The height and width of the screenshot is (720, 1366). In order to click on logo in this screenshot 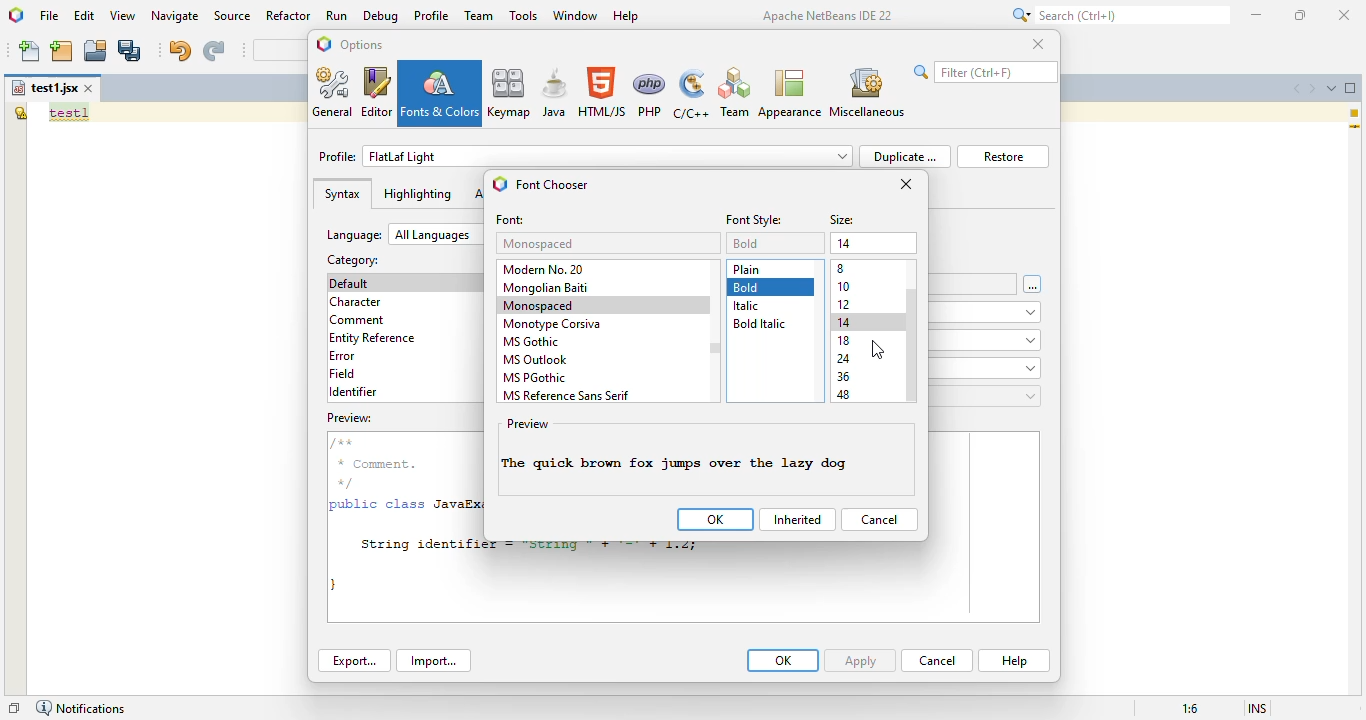, I will do `click(500, 183)`.